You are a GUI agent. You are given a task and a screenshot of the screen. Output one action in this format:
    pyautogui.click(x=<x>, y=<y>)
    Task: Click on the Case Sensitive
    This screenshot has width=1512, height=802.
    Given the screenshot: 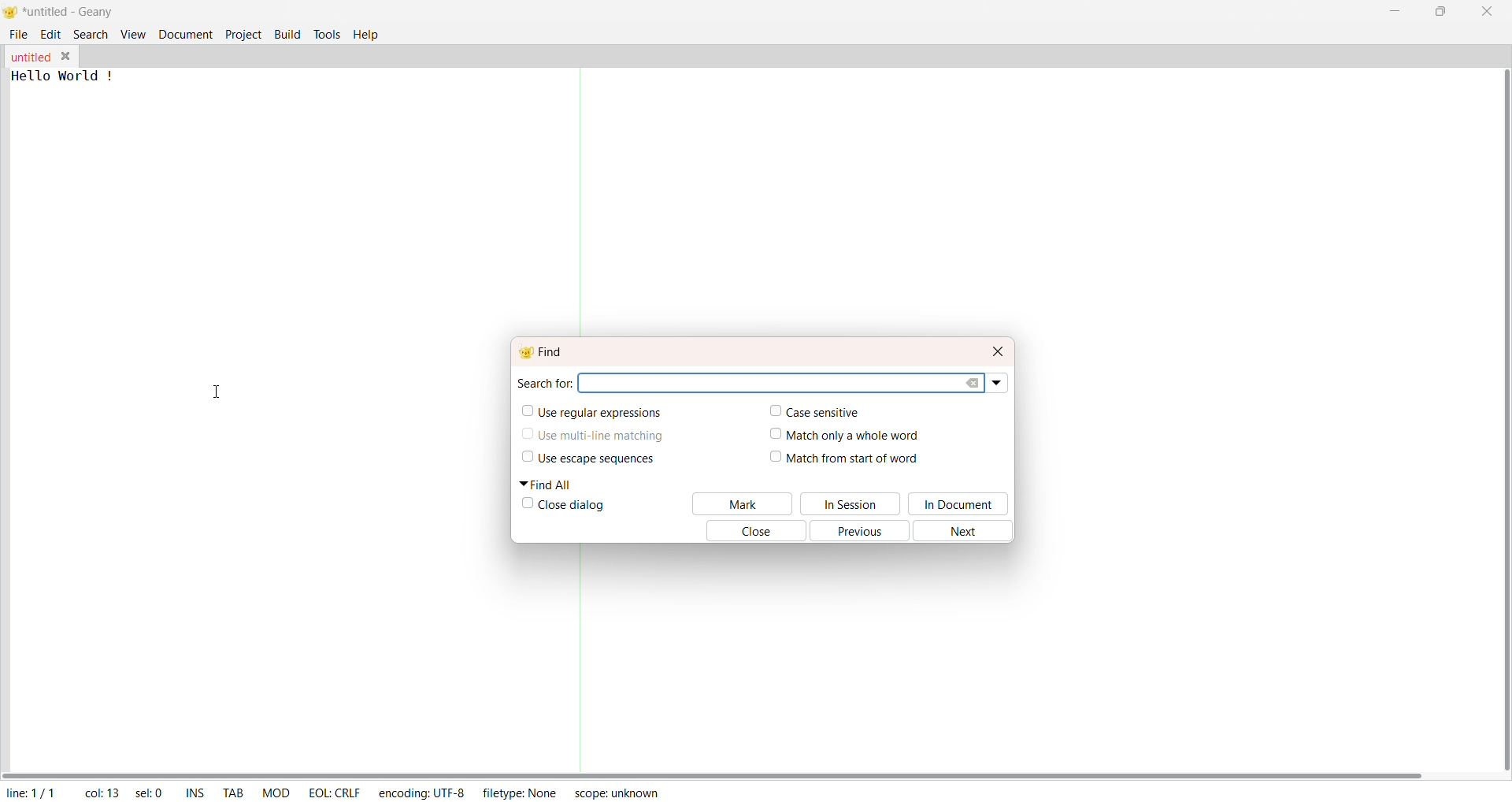 What is the action you would take?
    pyautogui.click(x=830, y=414)
    